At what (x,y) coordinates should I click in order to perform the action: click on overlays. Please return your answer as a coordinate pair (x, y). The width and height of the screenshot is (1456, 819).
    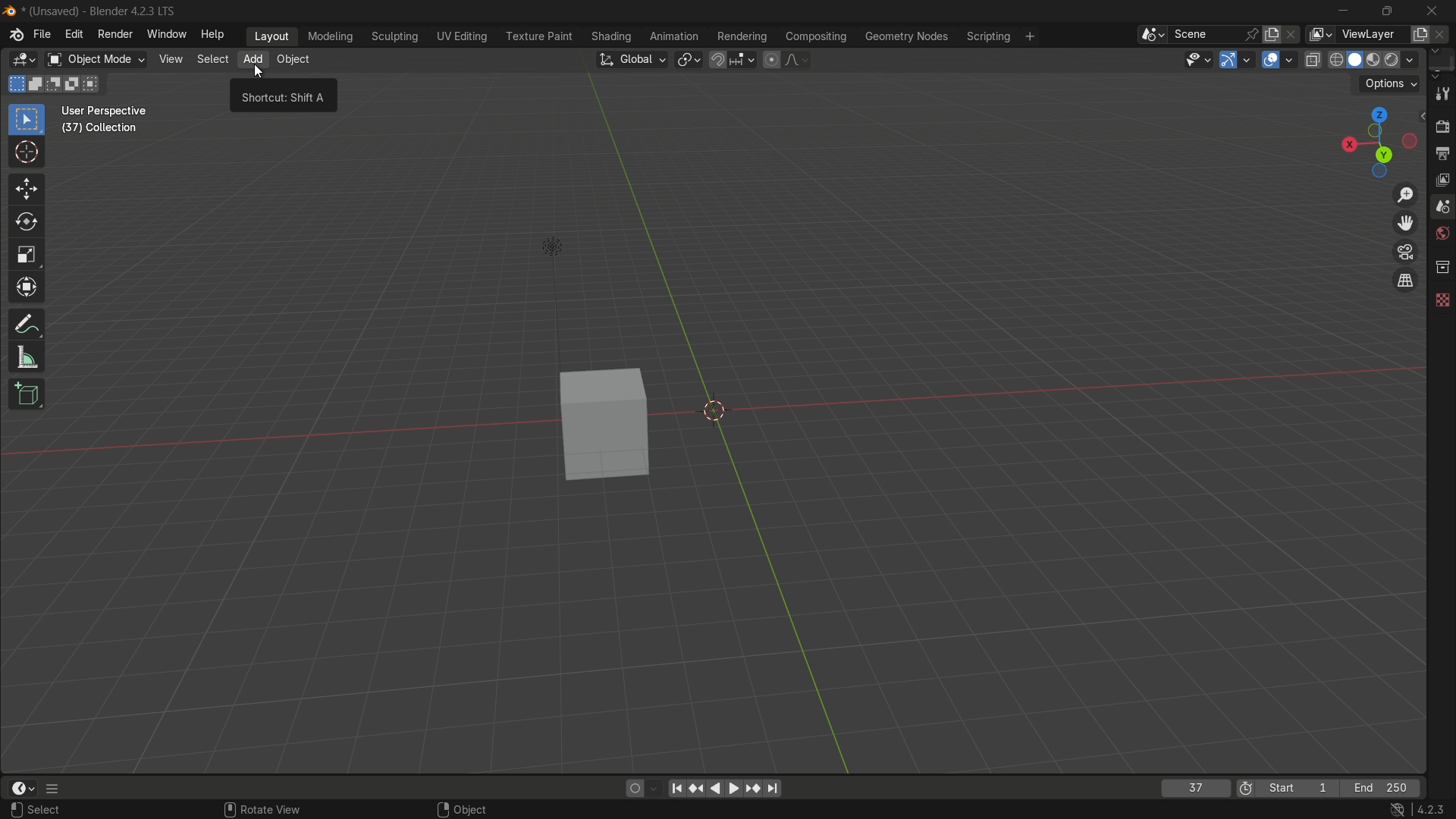
    Looking at the image, I should click on (1291, 59).